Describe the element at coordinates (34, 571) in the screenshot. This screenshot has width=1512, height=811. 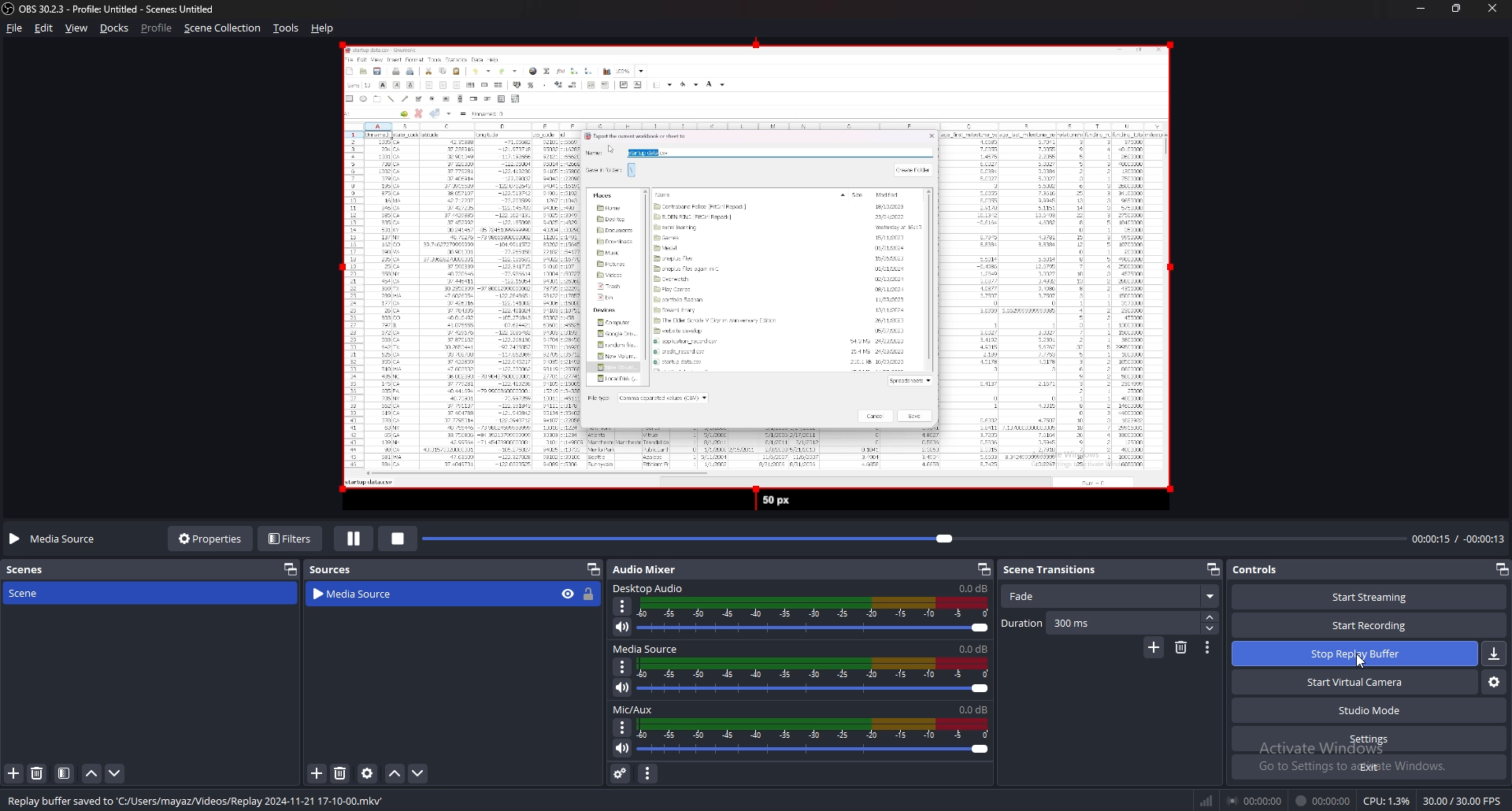
I see `scenes` at that location.